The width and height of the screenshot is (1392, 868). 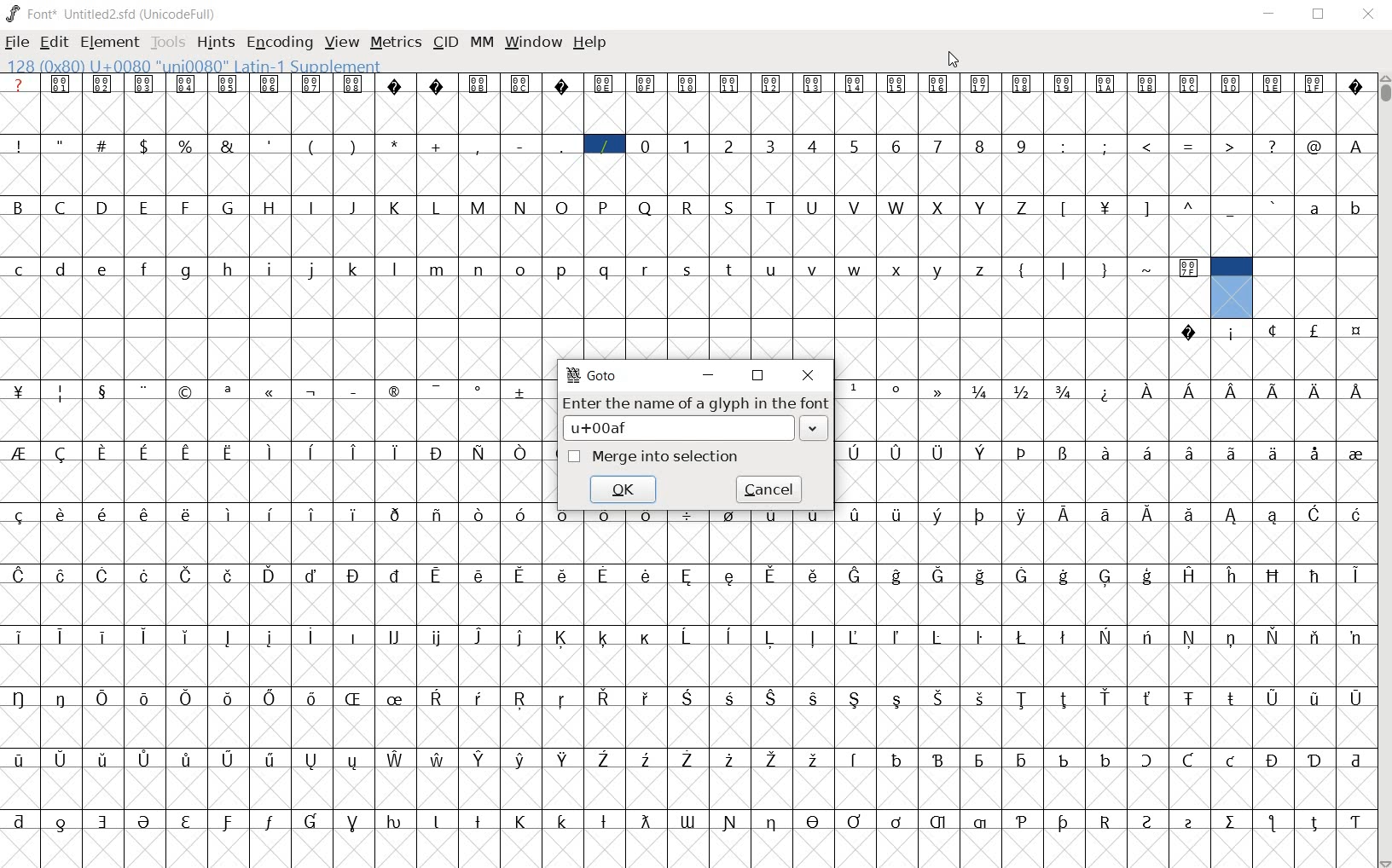 I want to click on Symbol, so click(x=731, y=758).